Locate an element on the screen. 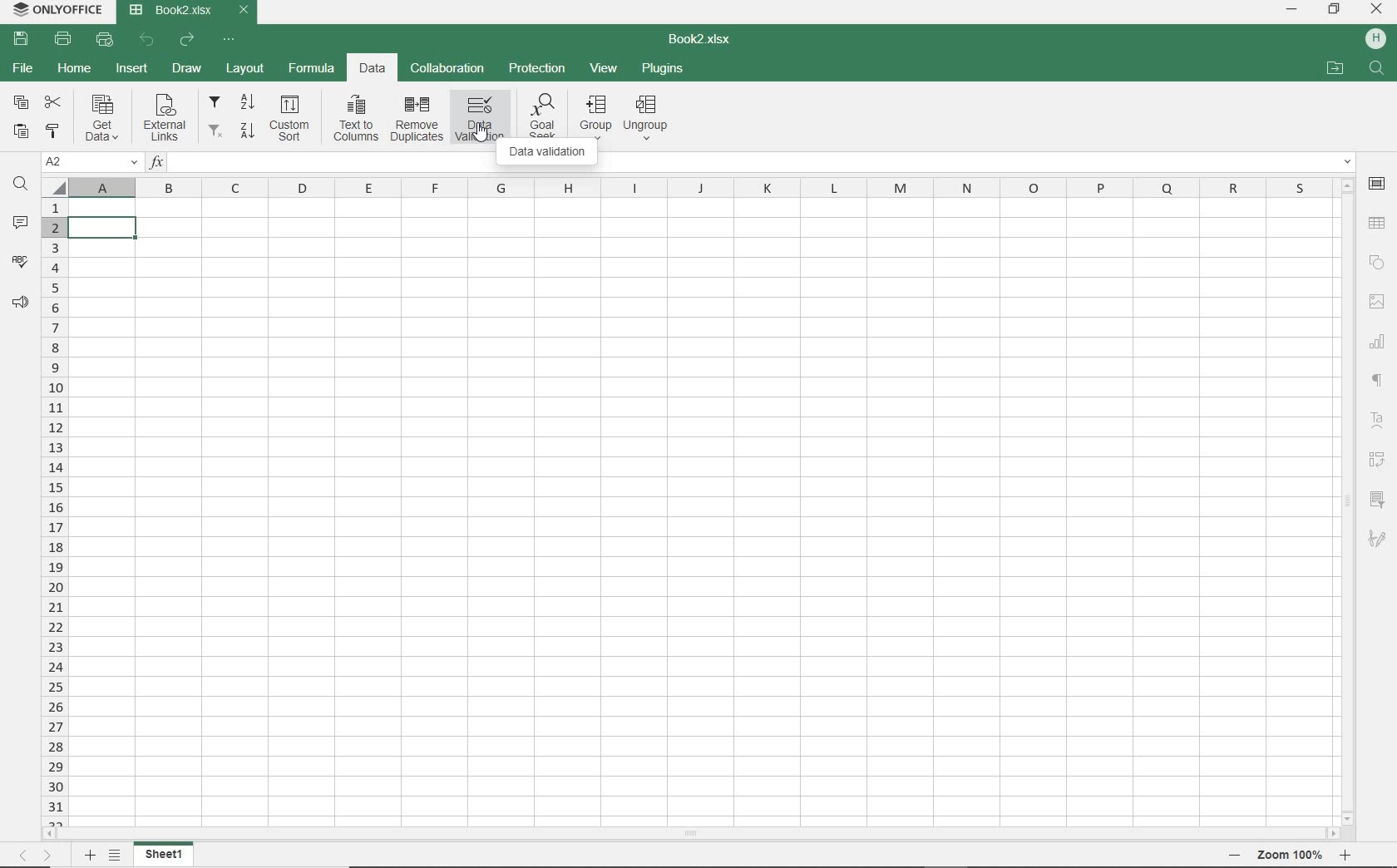 This screenshot has width=1397, height=868. DRAW is located at coordinates (187, 68).